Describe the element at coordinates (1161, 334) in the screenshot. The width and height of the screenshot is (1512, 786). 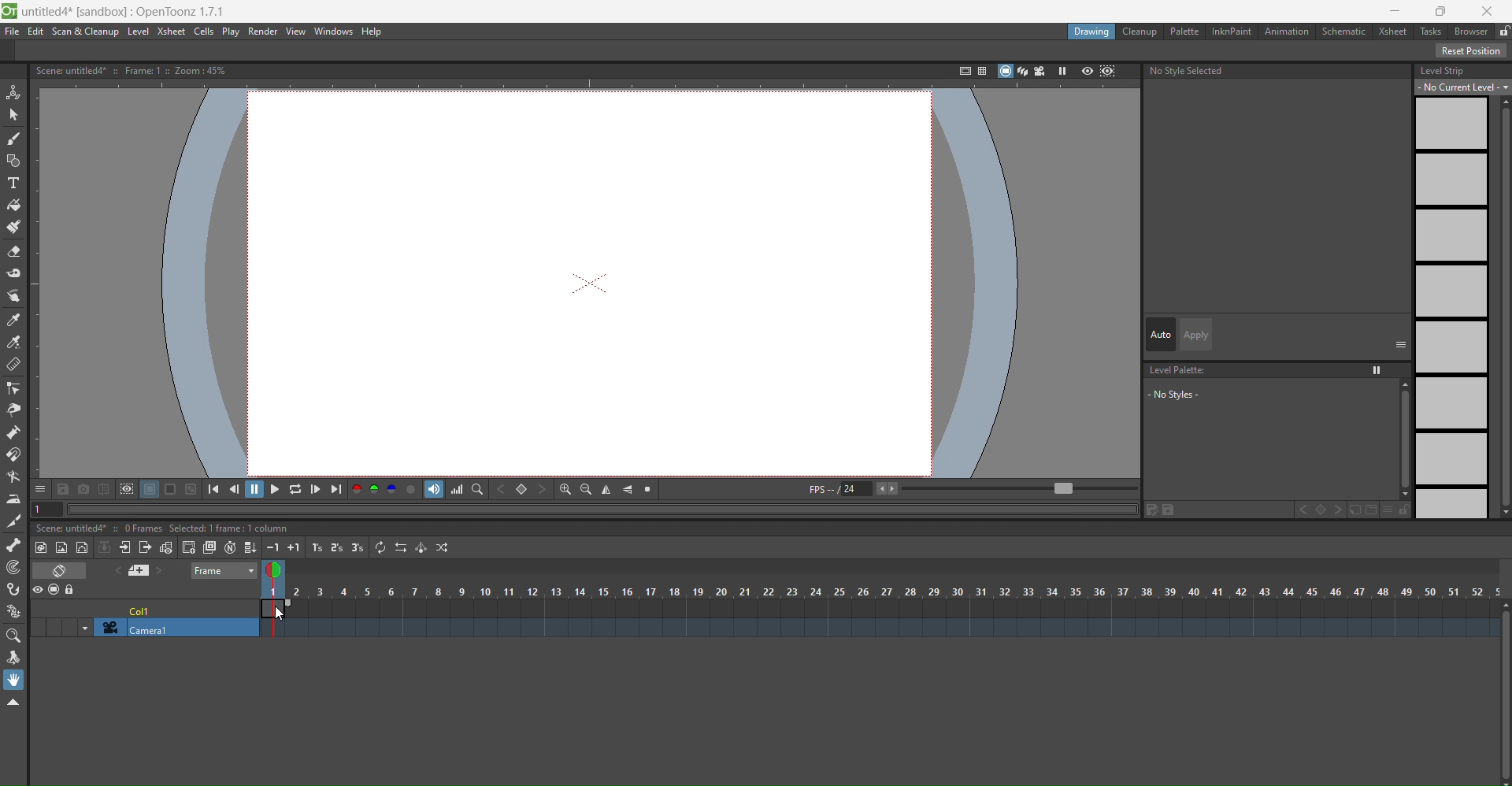
I see `auto` at that location.